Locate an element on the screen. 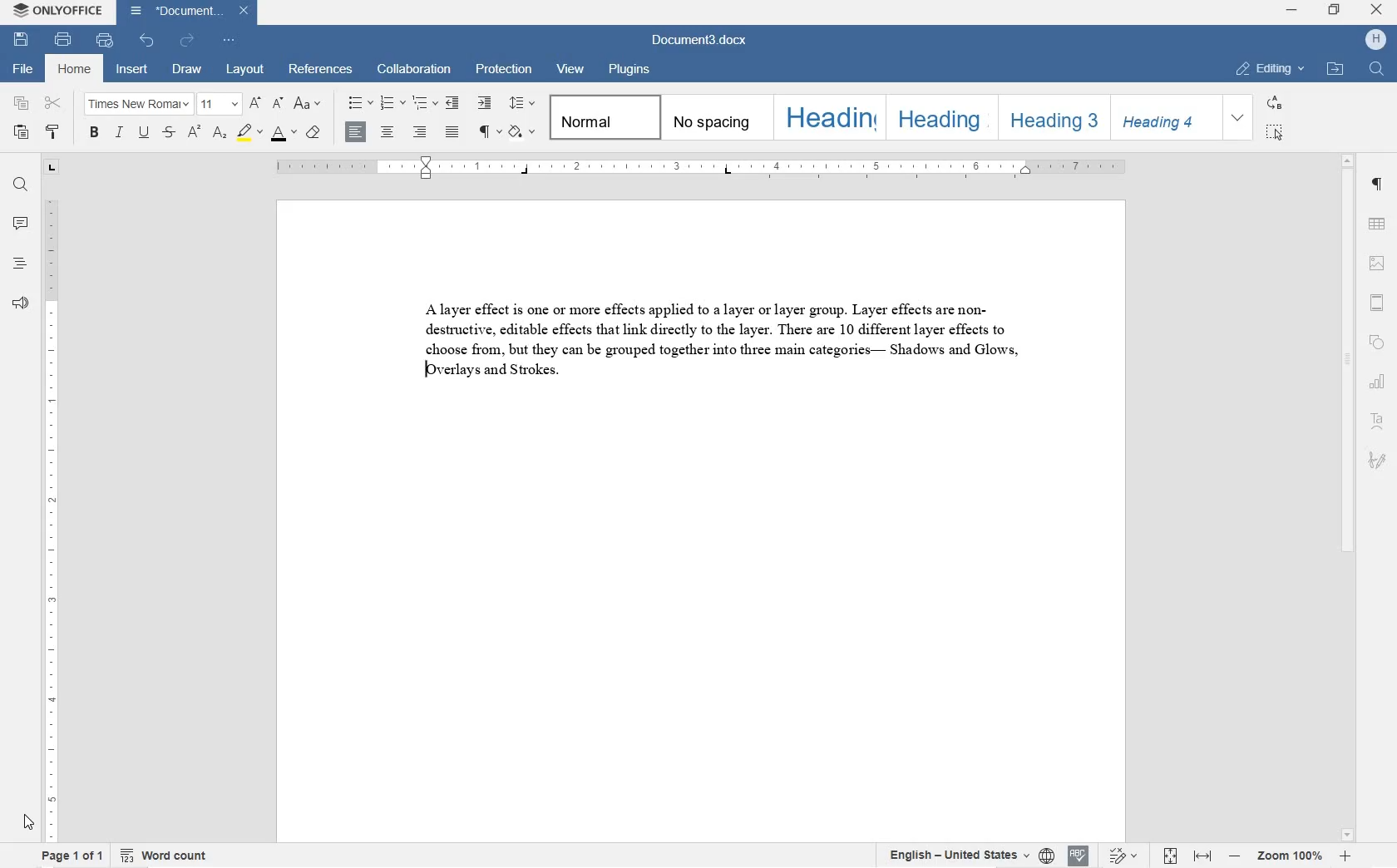 Image resolution: width=1397 pixels, height=868 pixels. scrollbar is located at coordinates (1345, 497).